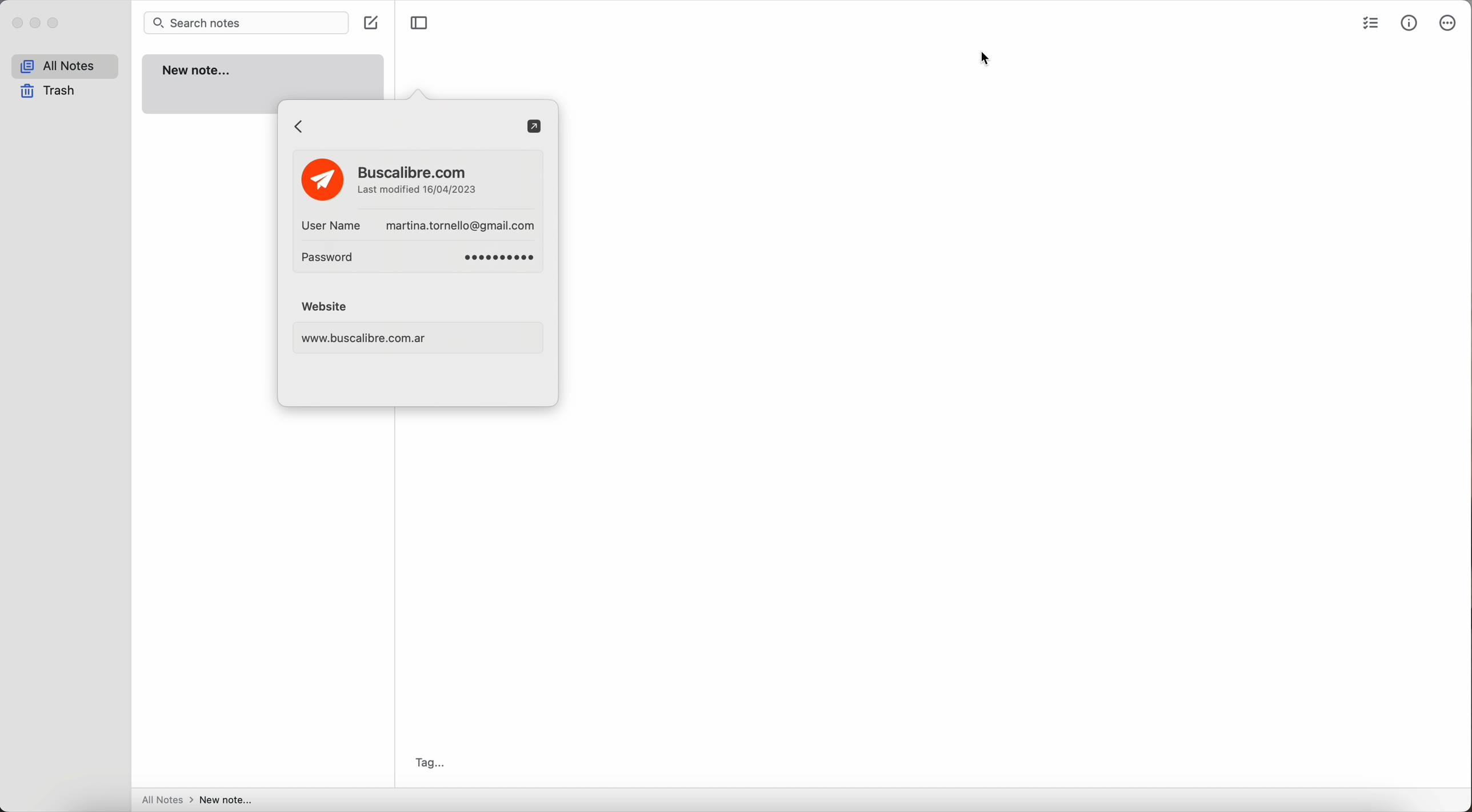  Describe the element at coordinates (38, 23) in the screenshot. I see `minimize Simplenote` at that location.